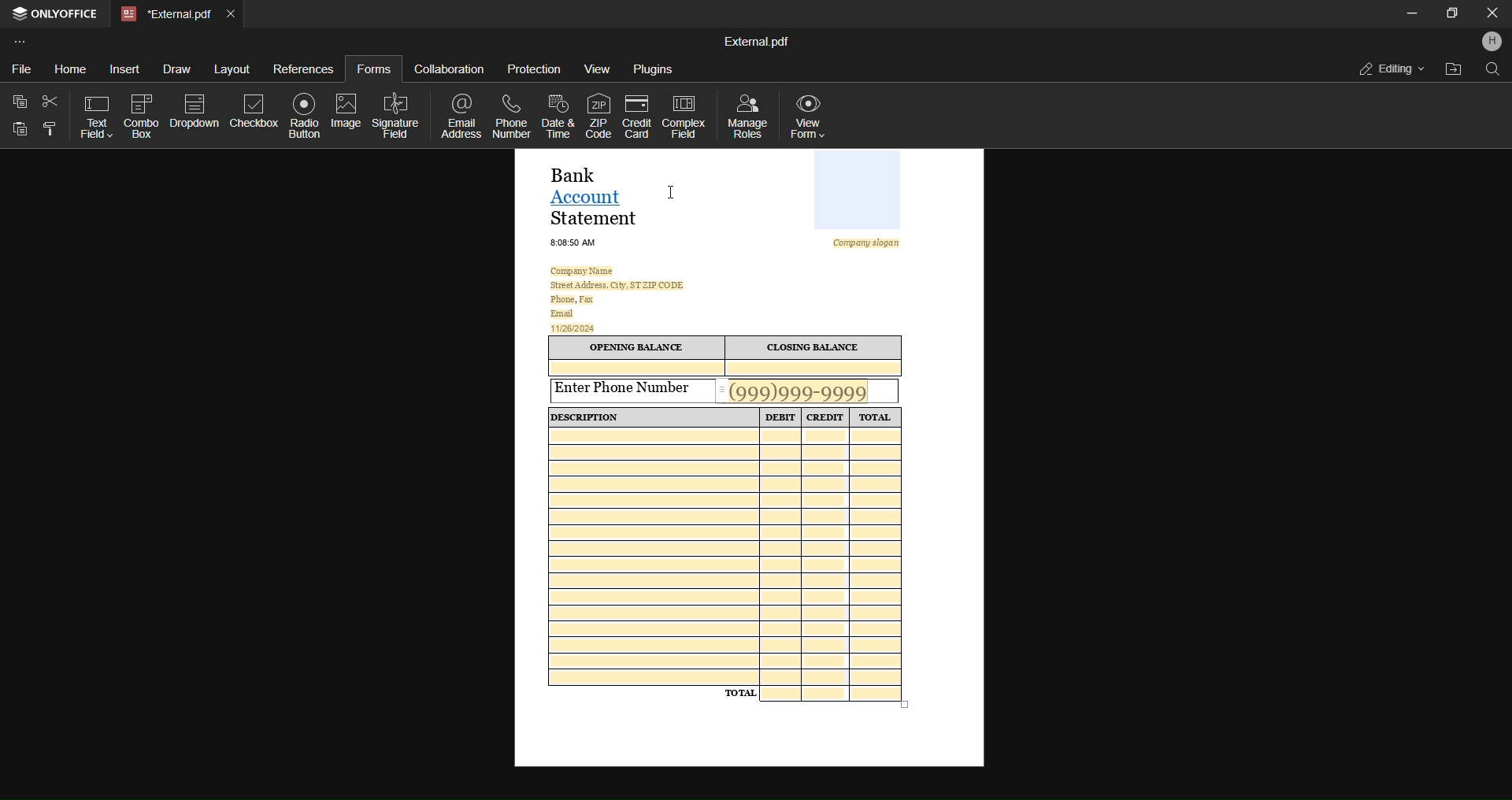  Describe the element at coordinates (747, 116) in the screenshot. I see `manage roles` at that location.